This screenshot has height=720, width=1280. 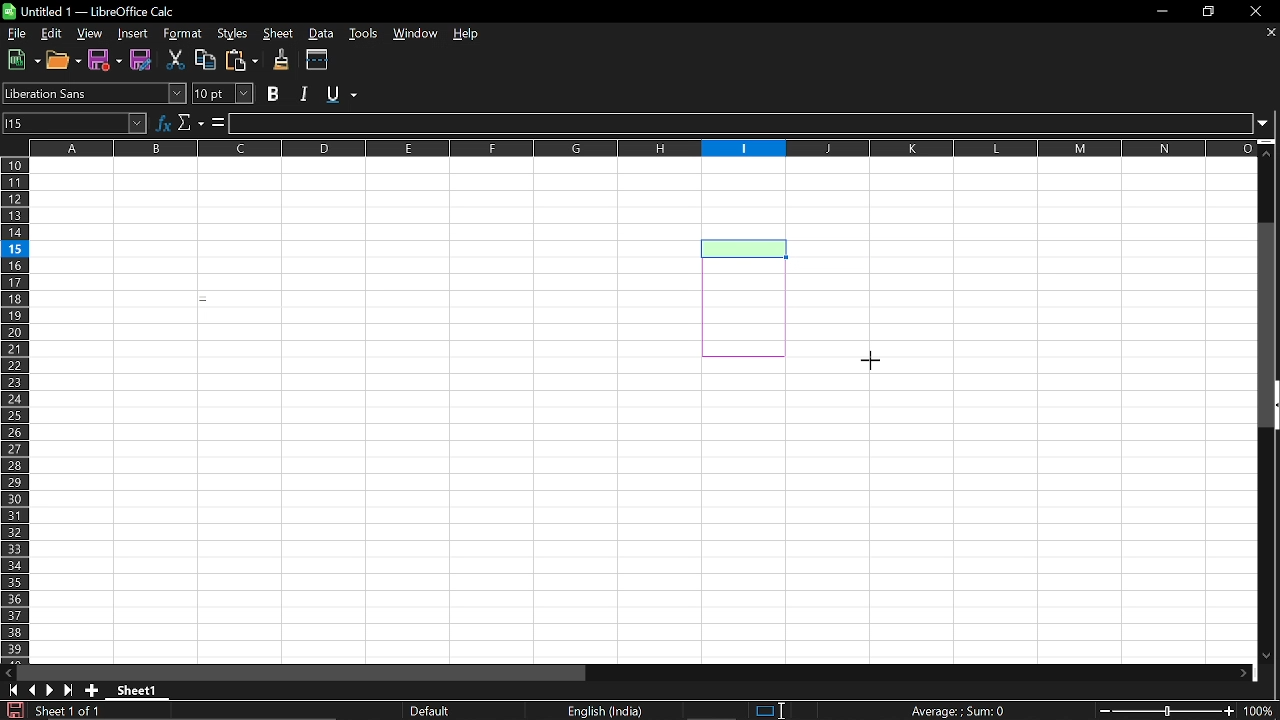 What do you see at coordinates (162, 123) in the screenshot?
I see `Function wizard` at bounding box center [162, 123].